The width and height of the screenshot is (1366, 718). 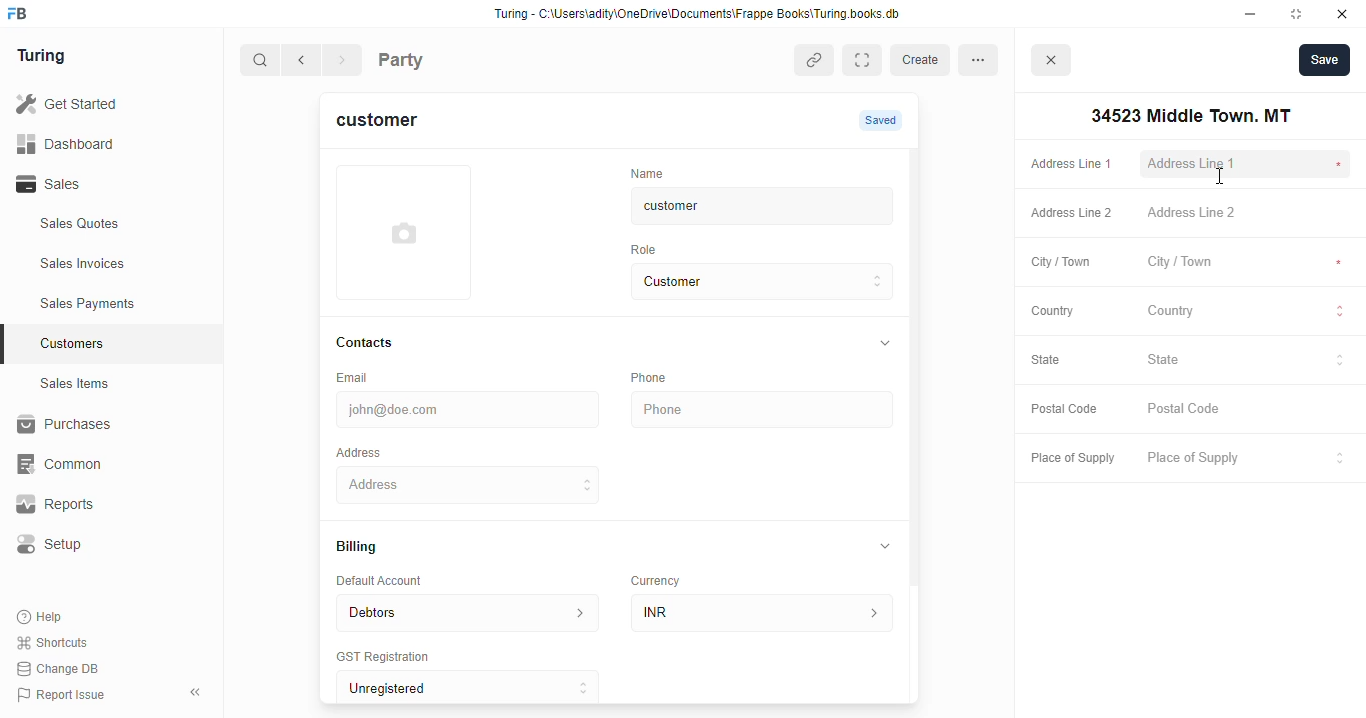 I want to click on Reports, so click(x=91, y=505).